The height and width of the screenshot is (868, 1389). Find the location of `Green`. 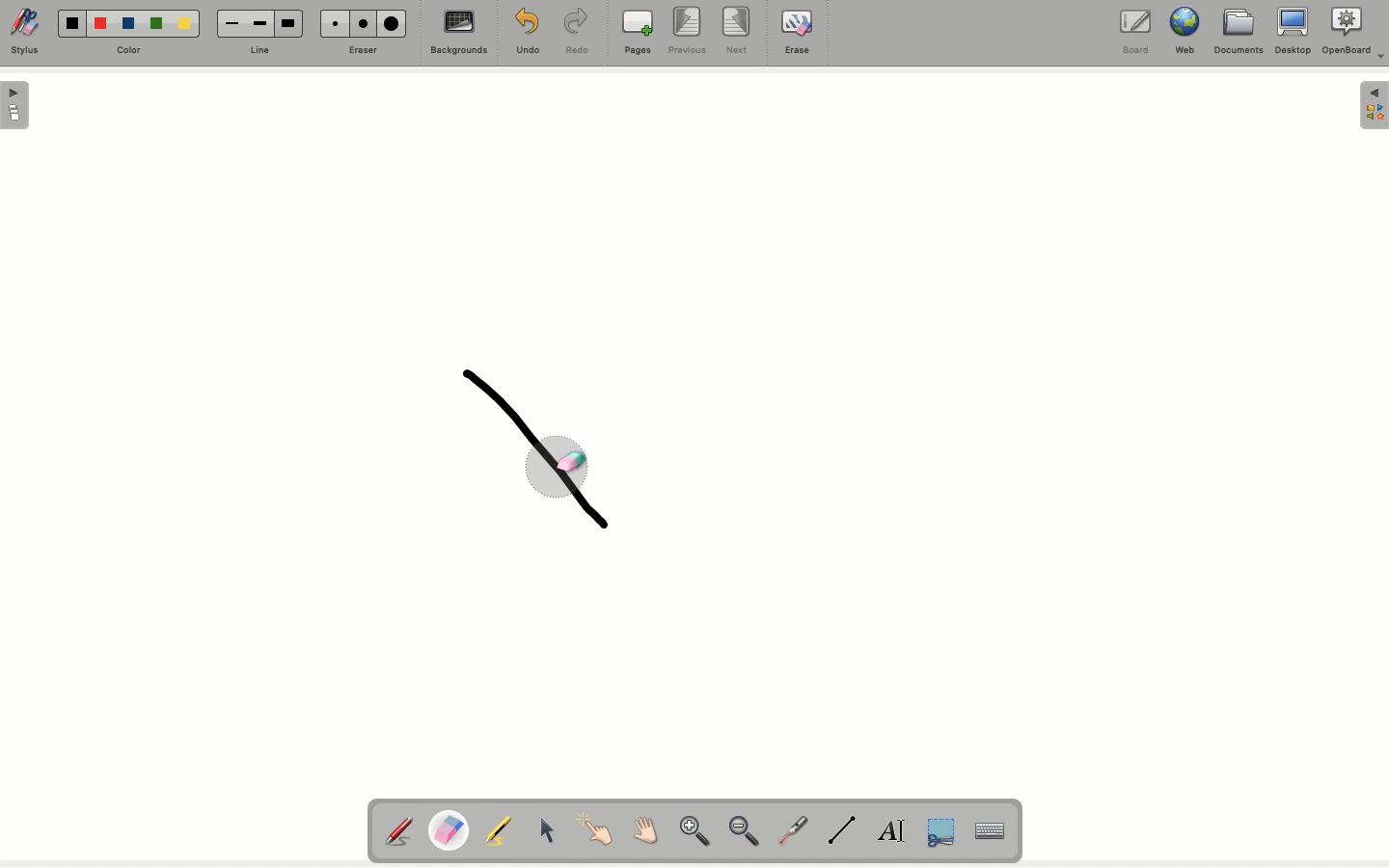

Green is located at coordinates (160, 22).